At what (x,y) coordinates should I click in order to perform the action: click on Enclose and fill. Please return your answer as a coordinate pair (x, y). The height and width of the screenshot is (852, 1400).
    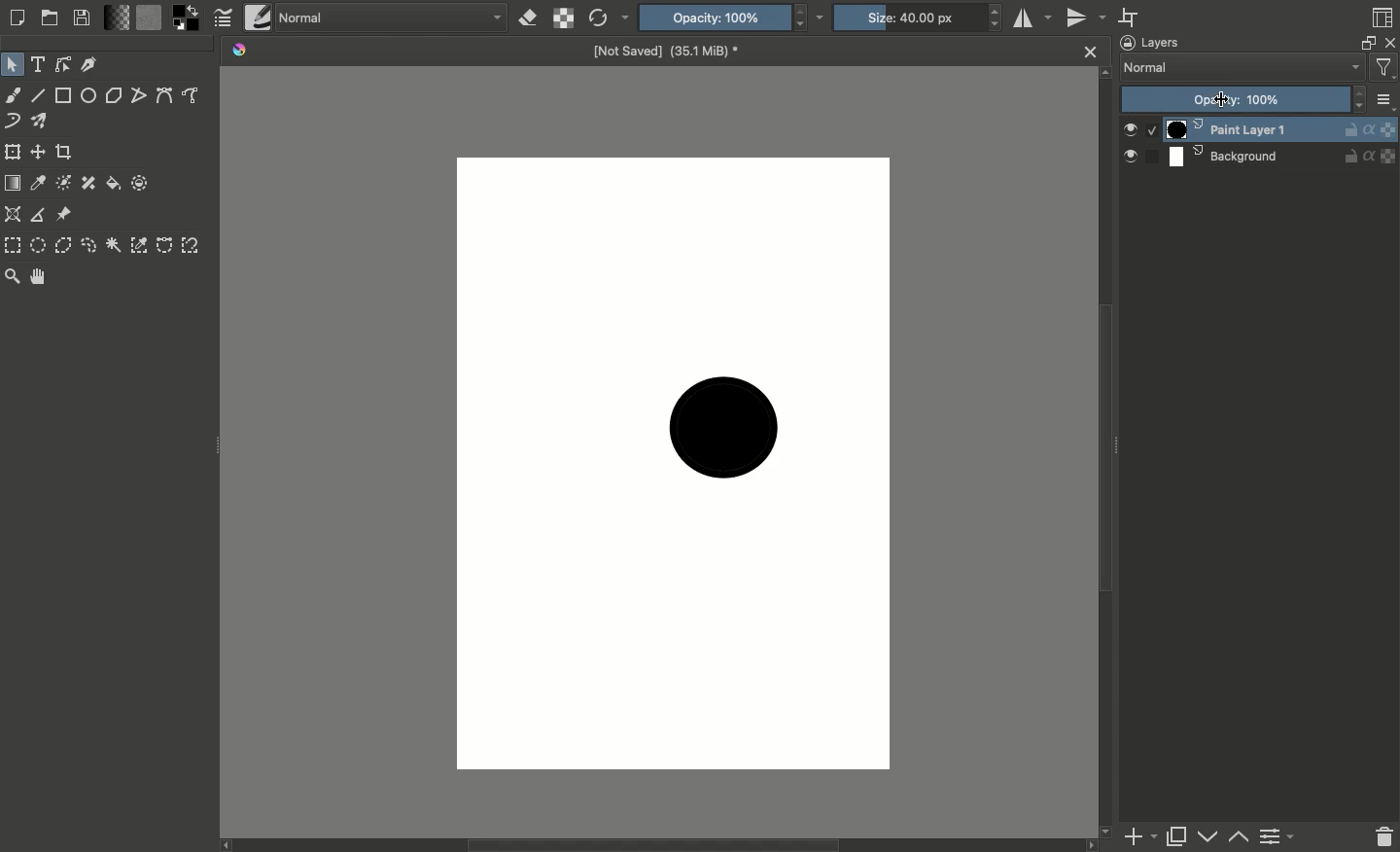
    Looking at the image, I should click on (142, 184).